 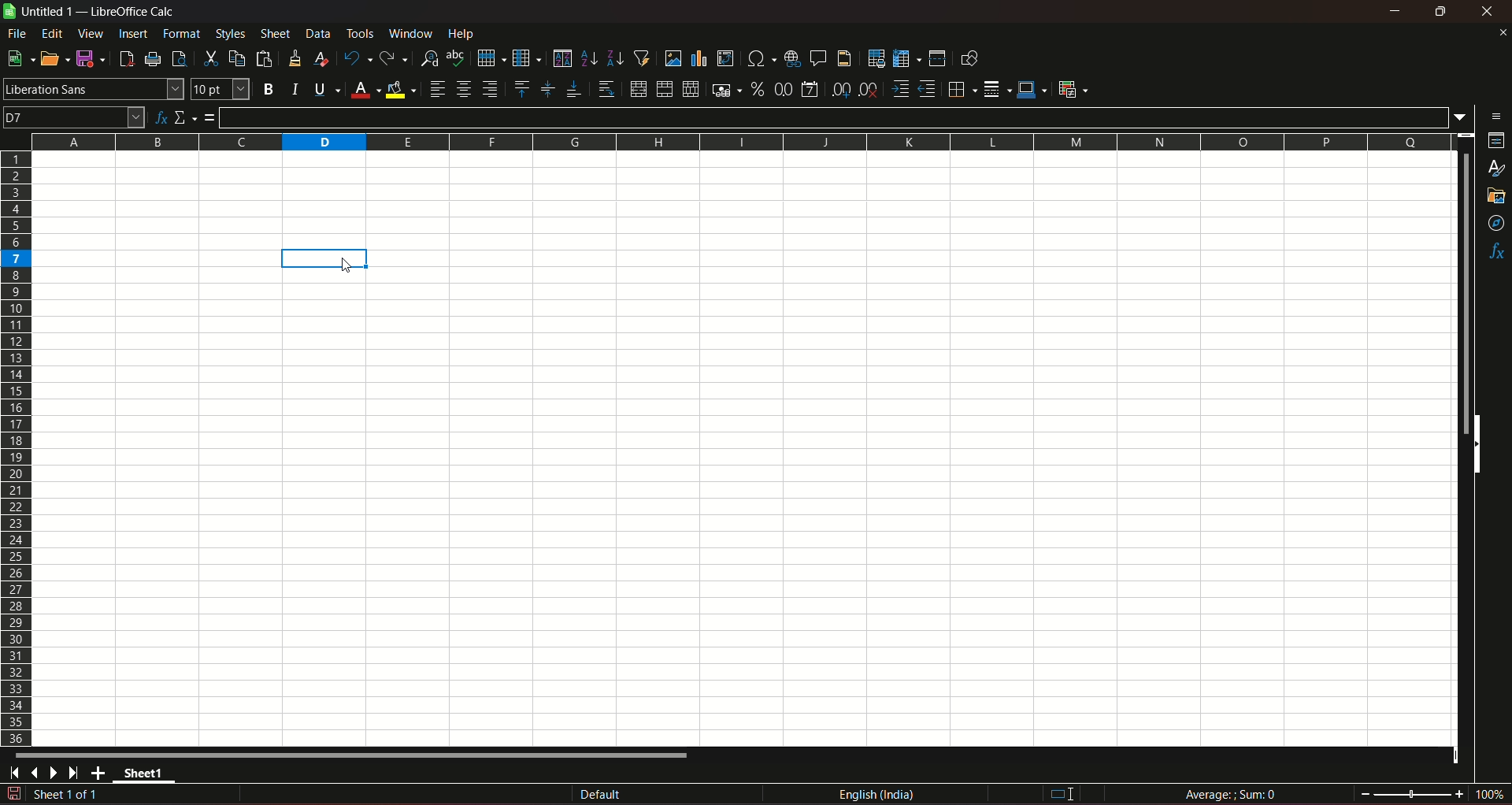 I want to click on insert or edit pivot table, so click(x=726, y=57).